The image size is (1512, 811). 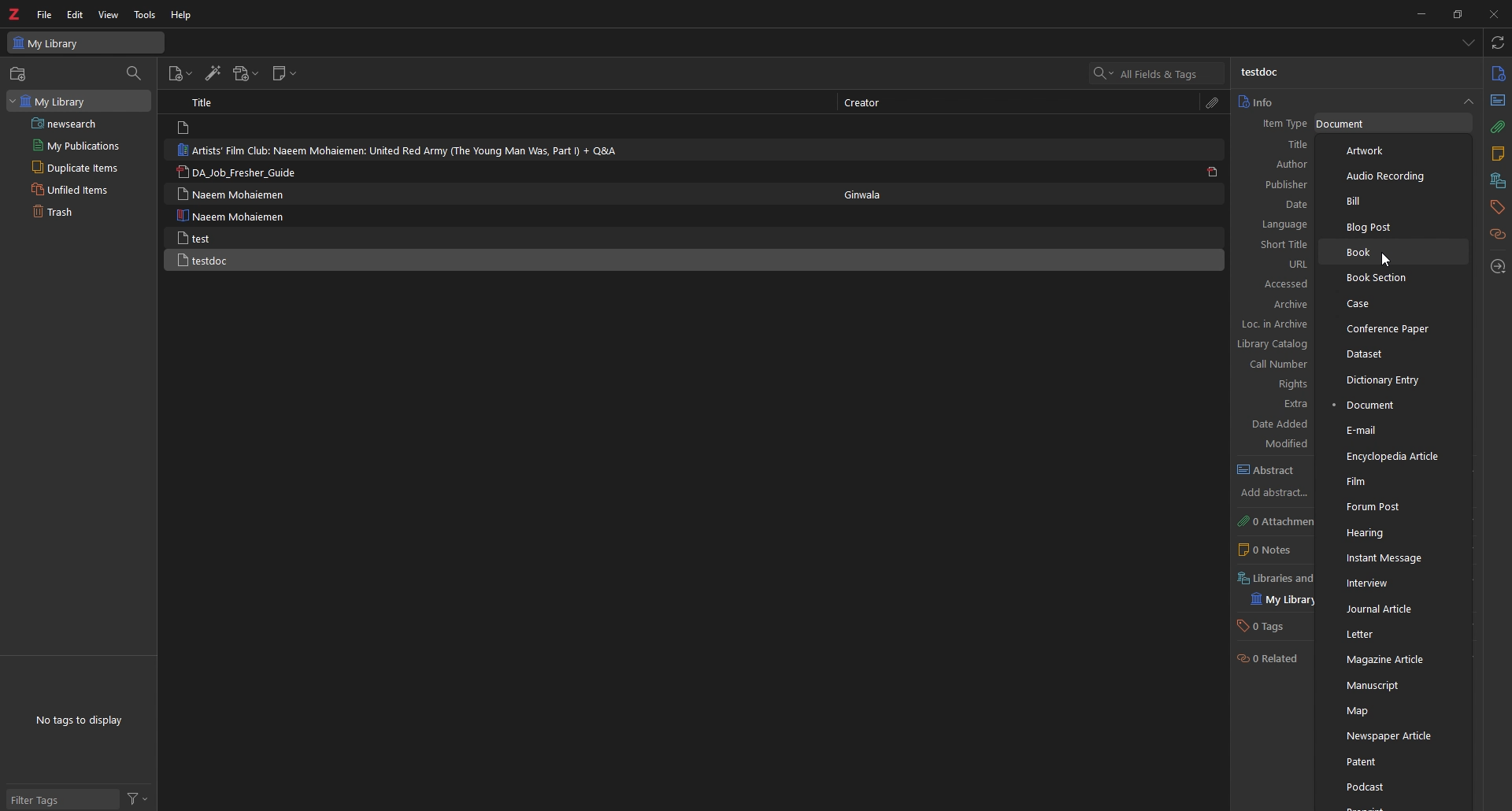 What do you see at coordinates (1281, 124) in the screenshot?
I see `item type` at bounding box center [1281, 124].